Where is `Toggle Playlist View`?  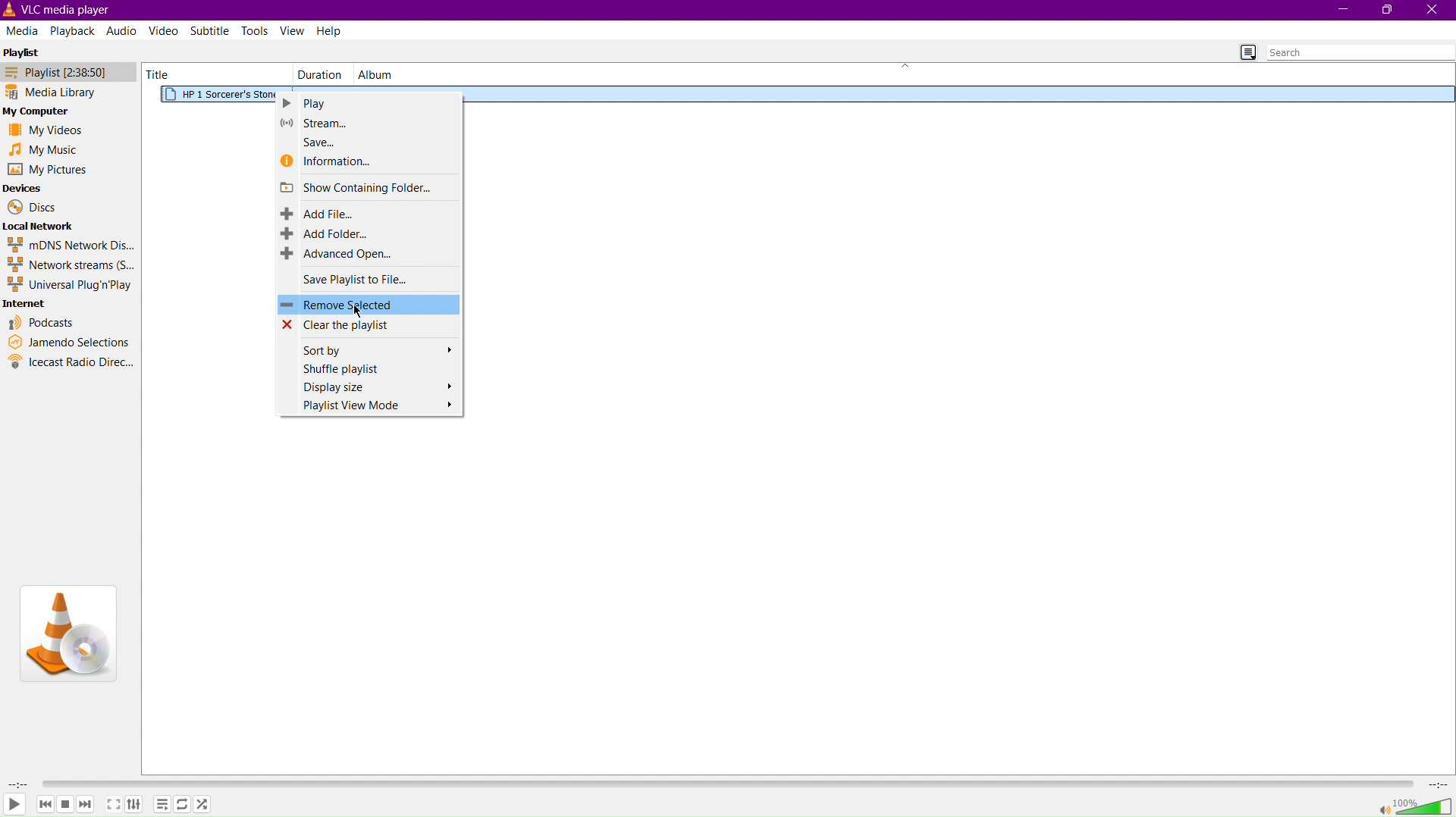
Toggle Playlist View is located at coordinates (1248, 52).